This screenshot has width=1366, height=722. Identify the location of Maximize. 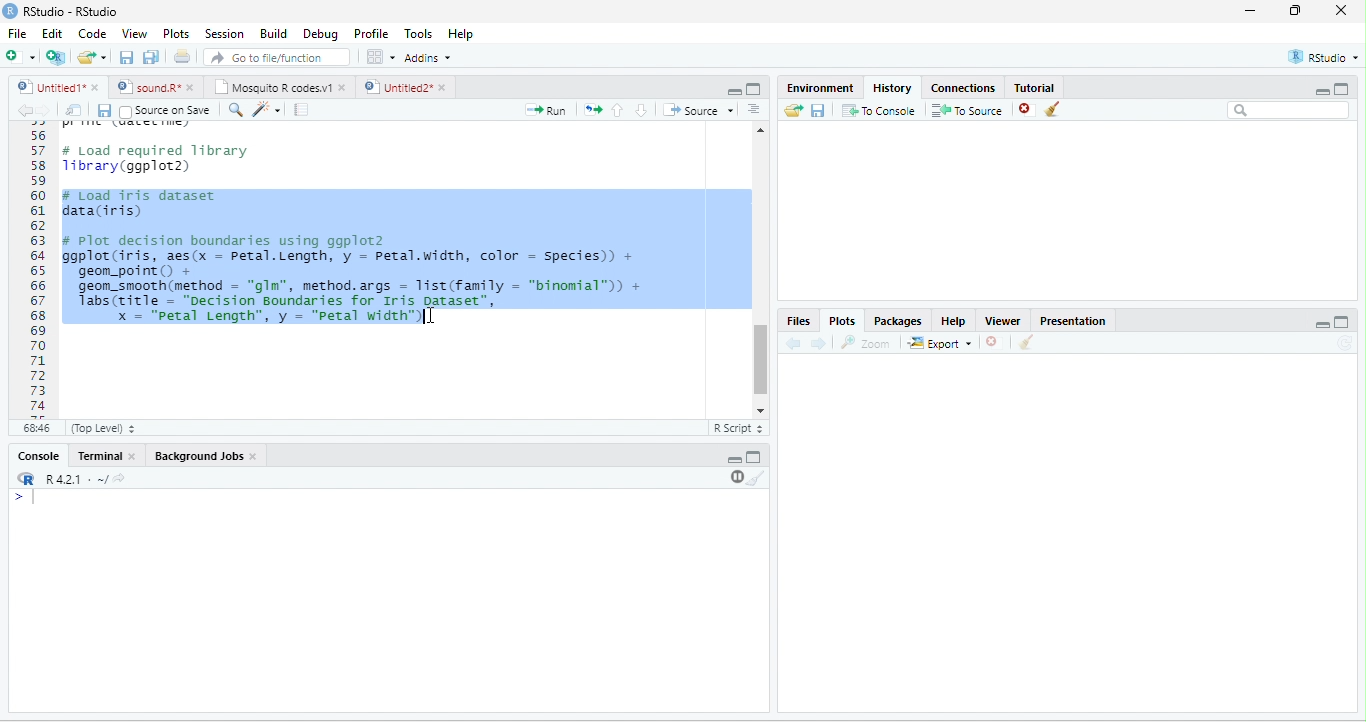
(1341, 322).